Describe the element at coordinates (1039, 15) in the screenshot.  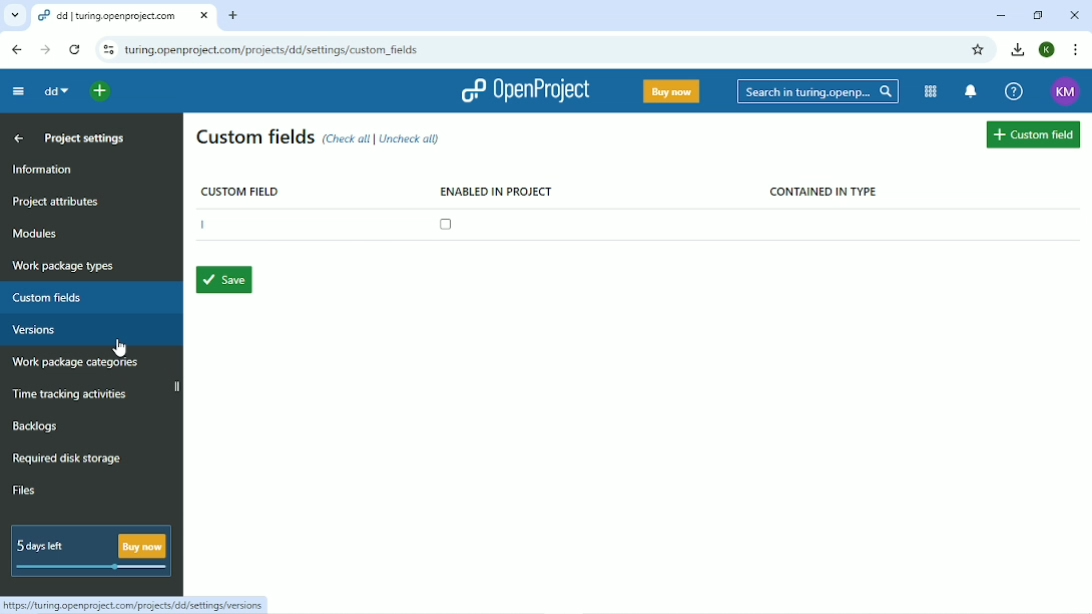
I see `Restore down` at that location.